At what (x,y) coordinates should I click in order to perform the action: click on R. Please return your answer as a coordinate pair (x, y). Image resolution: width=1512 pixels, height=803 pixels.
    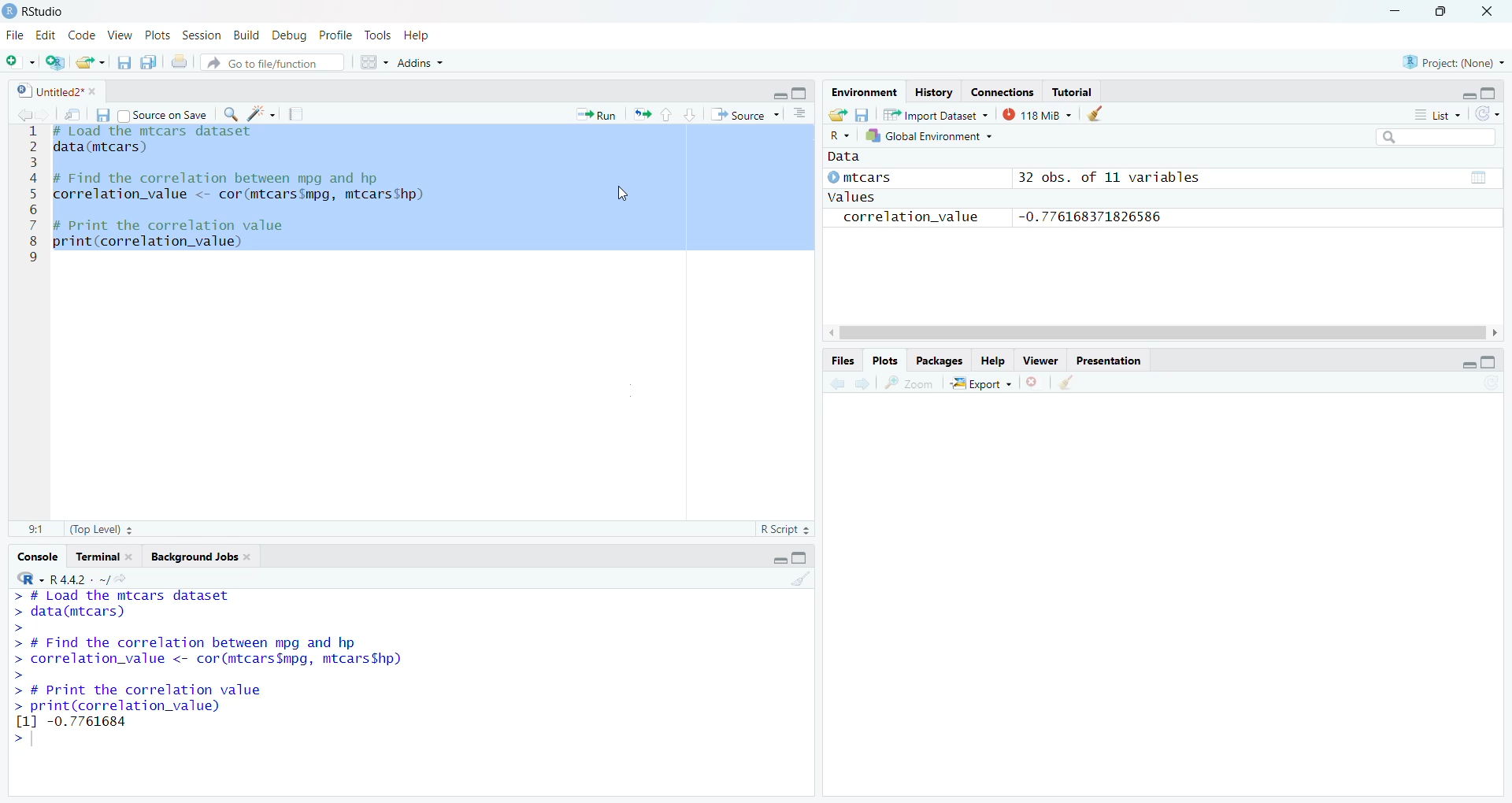
    Looking at the image, I should click on (842, 135).